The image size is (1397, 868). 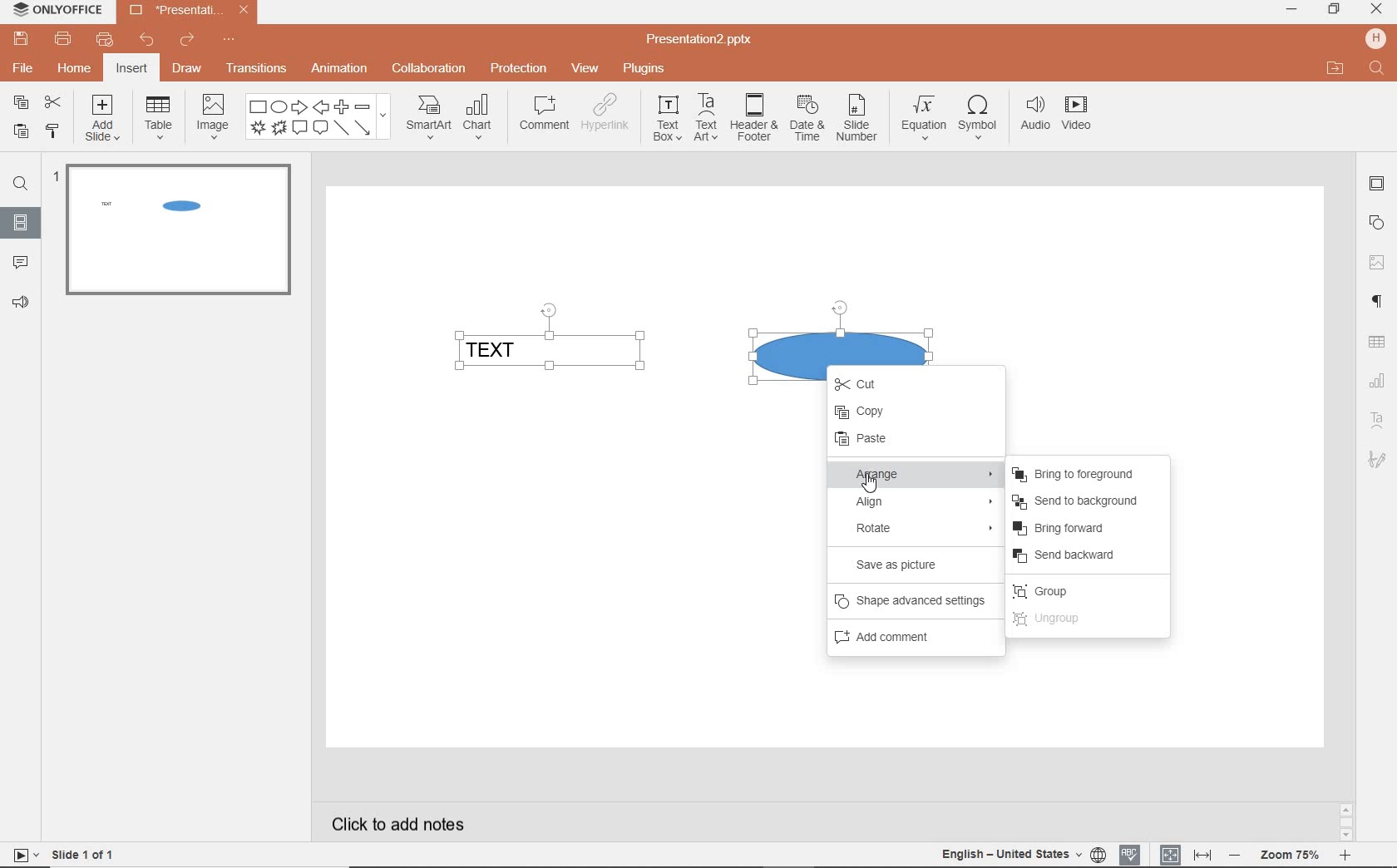 I want to click on equation, so click(x=921, y=121).